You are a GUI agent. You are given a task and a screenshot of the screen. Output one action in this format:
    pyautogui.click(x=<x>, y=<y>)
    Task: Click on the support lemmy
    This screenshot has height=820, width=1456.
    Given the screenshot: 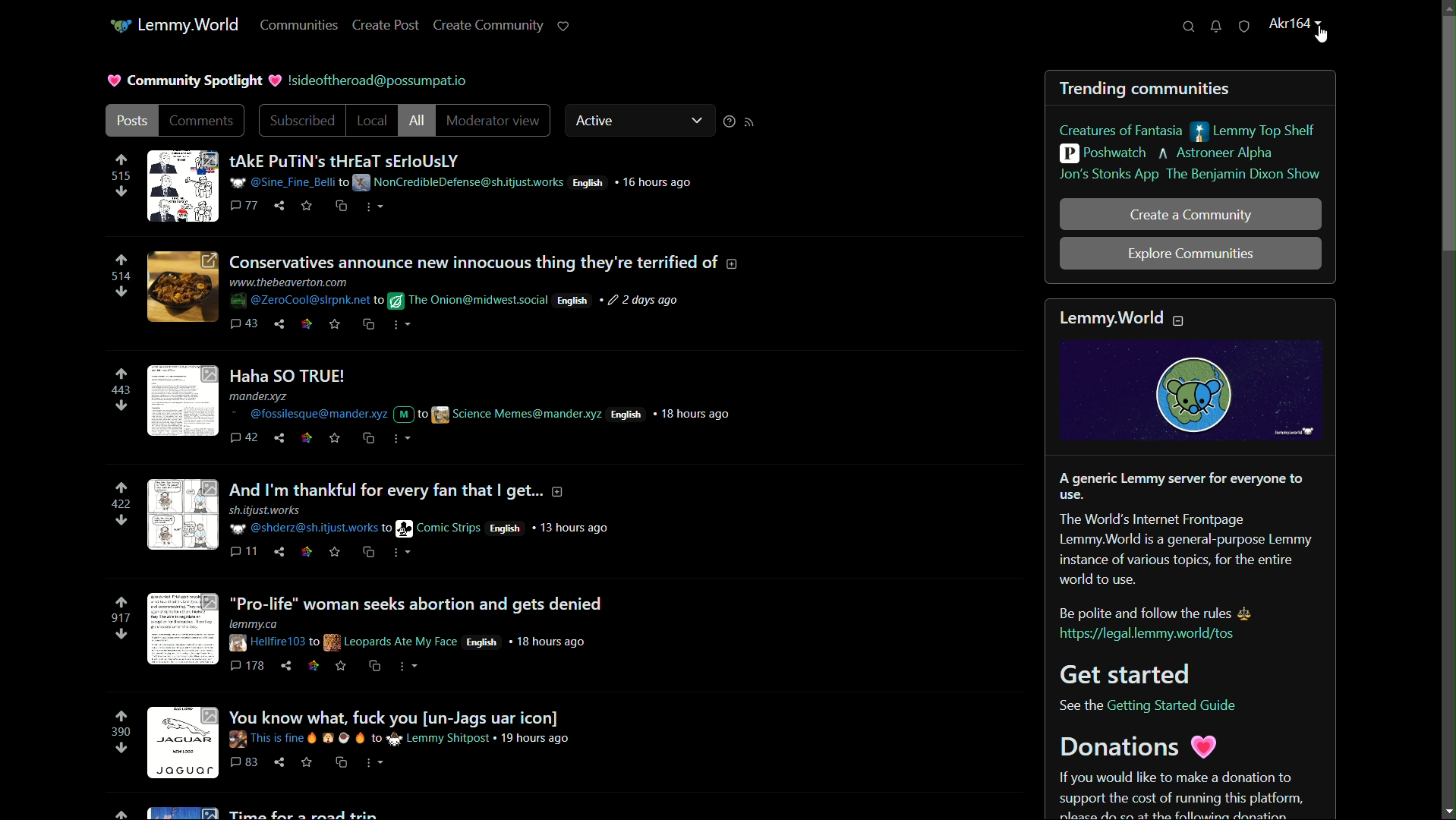 What is the action you would take?
    pyautogui.click(x=564, y=27)
    